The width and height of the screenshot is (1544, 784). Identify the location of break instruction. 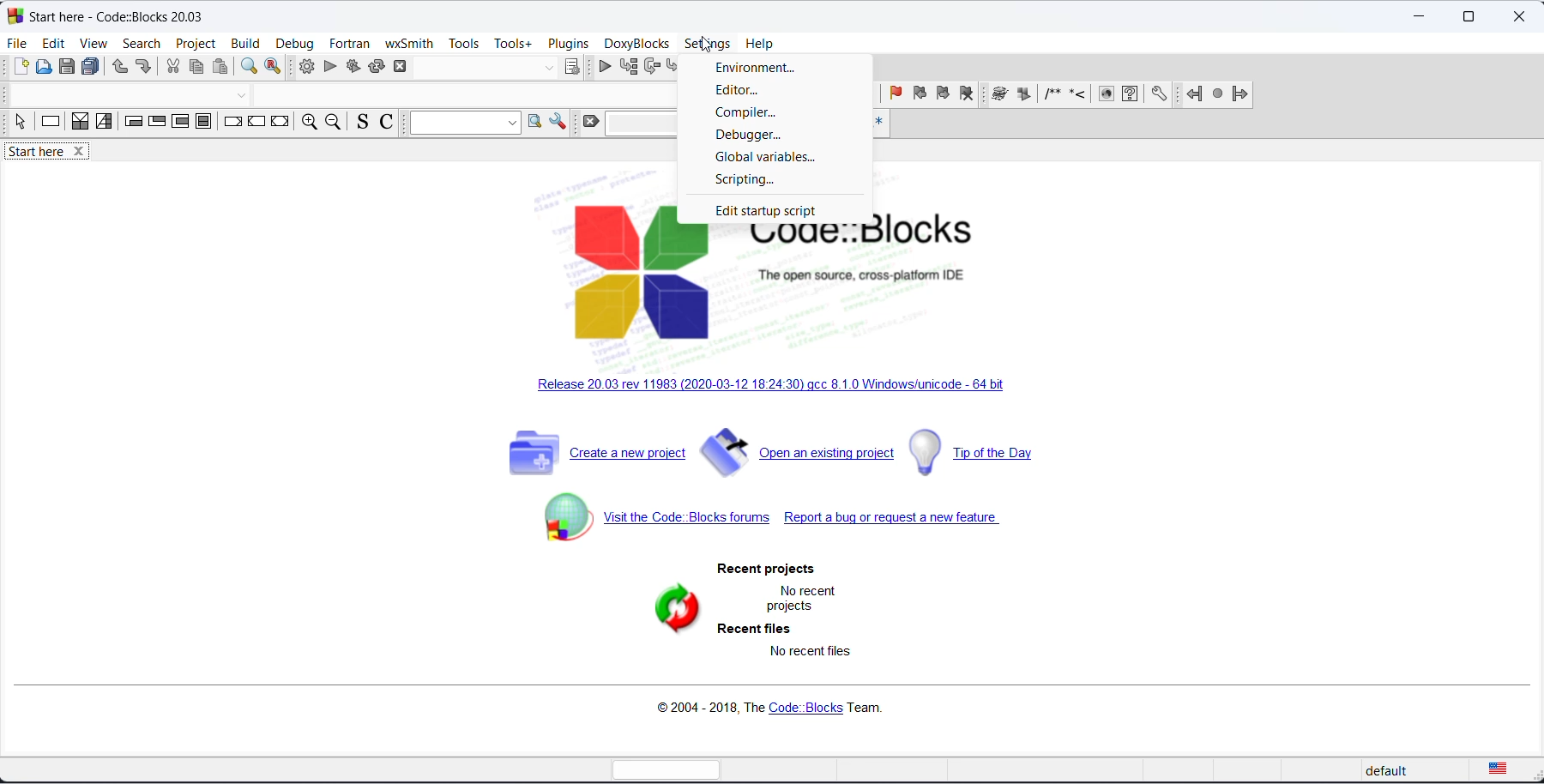
(234, 121).